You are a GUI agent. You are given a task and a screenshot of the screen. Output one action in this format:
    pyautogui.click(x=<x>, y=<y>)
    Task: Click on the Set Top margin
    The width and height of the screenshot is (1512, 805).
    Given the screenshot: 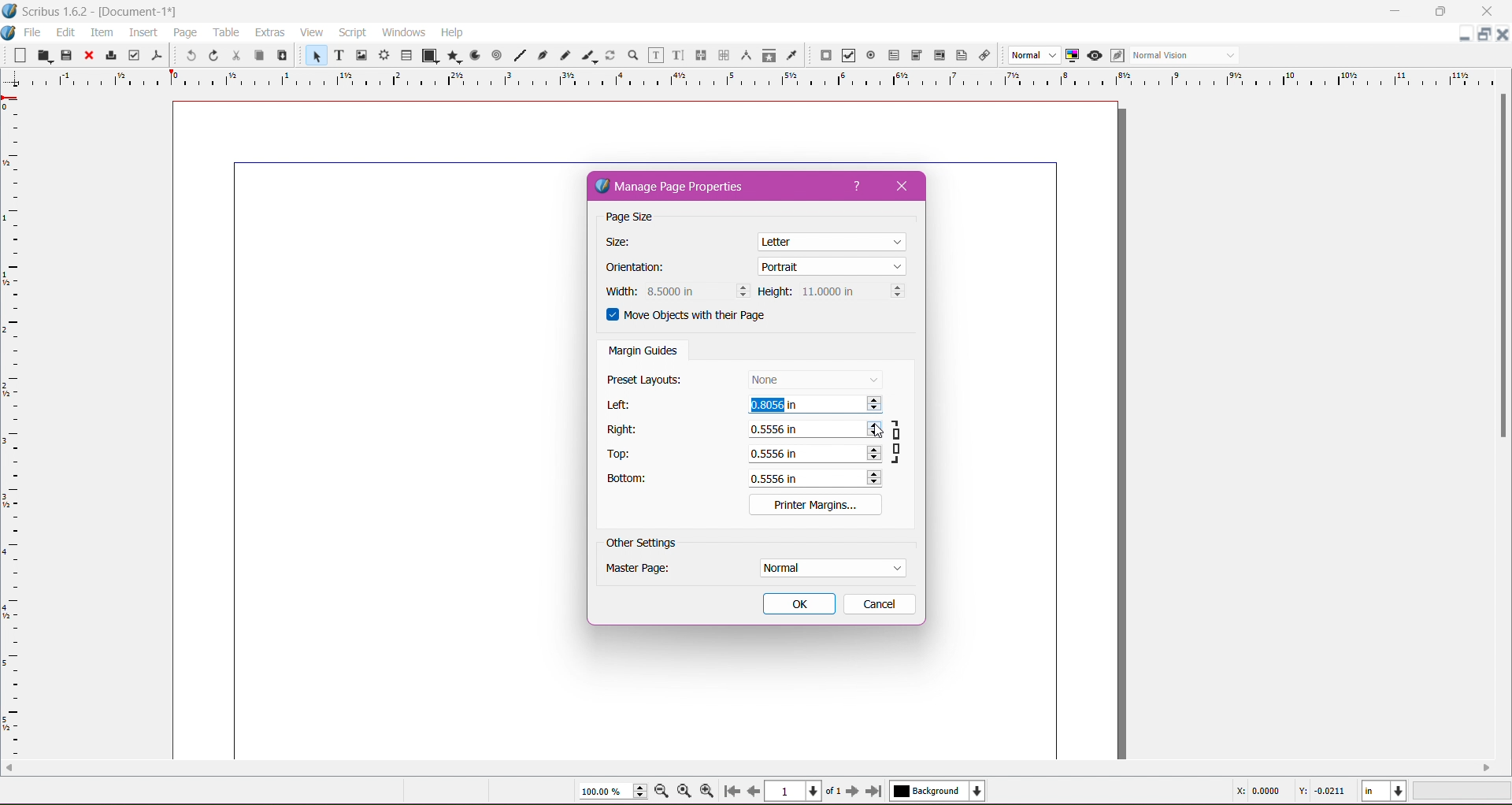 What is the action you would take?
    pyautogui.click(x=813, y=453)
    